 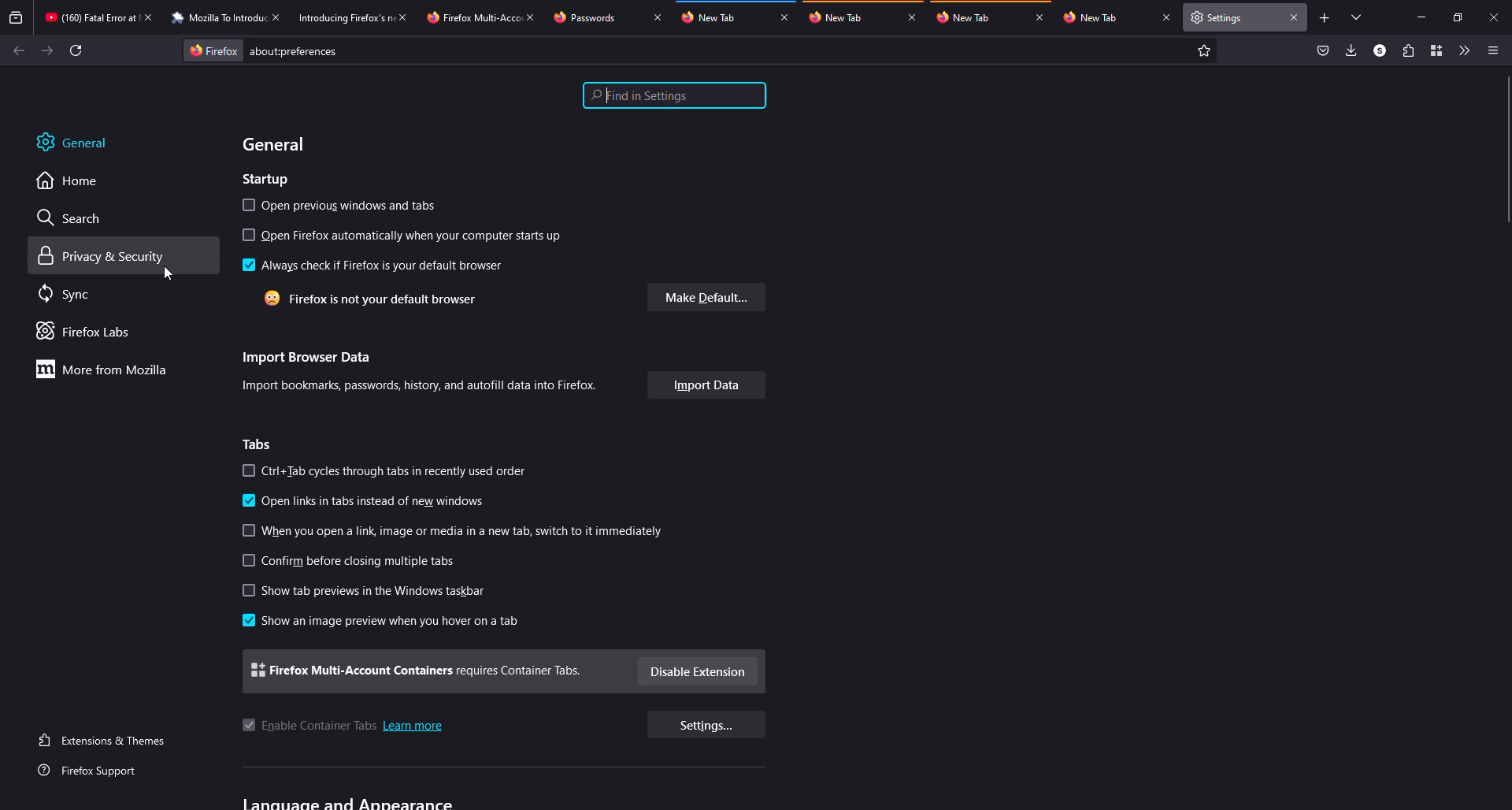 What do you see at coordinates (86, 332) in the screenshot?
I see `firefox labs` at bounding box center [86, 332].